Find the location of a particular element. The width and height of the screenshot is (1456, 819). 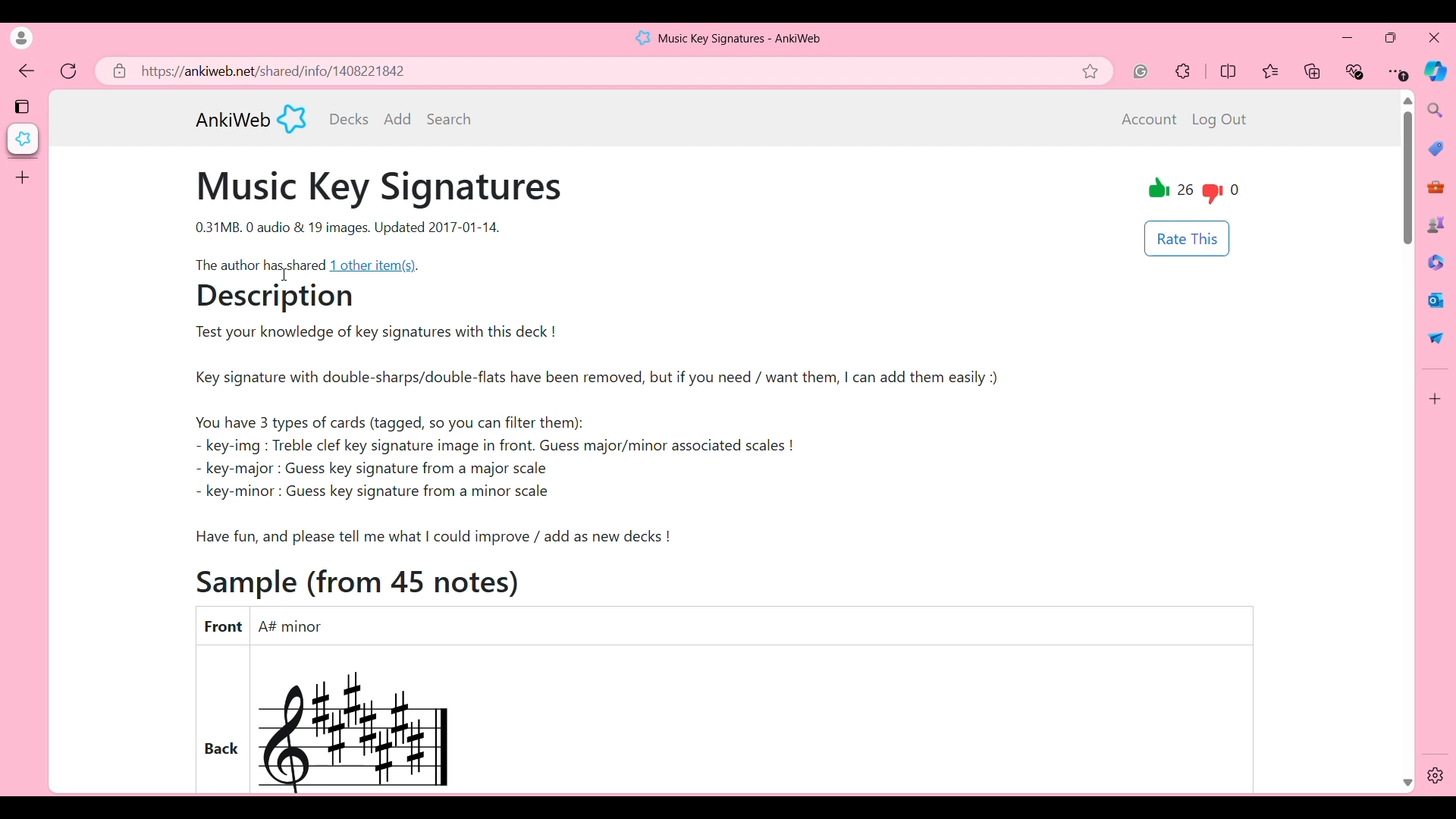

Vertical slide bar is located at coordinates (1407, 180).